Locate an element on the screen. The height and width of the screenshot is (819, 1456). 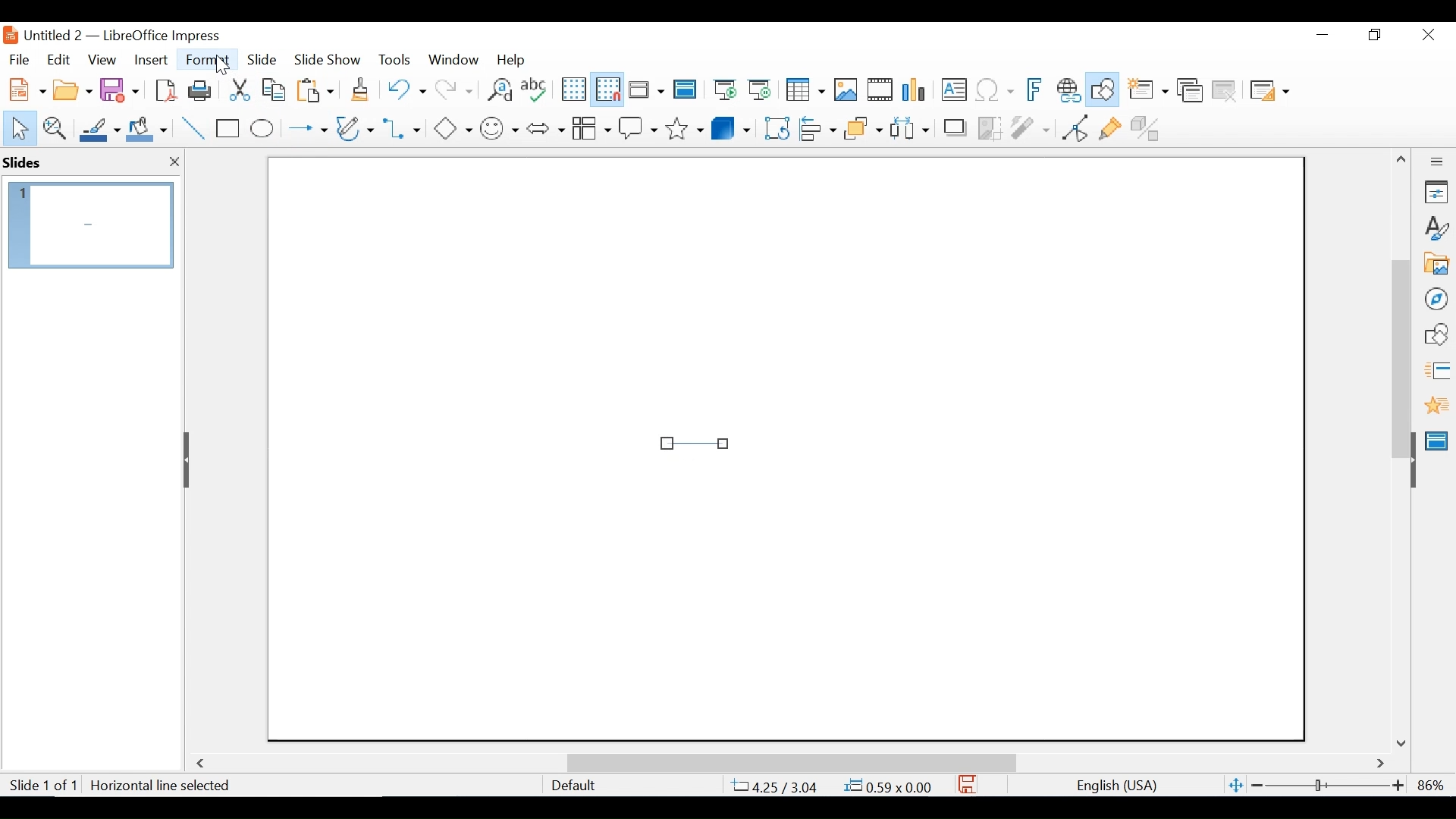
Paste is located at coordinates (319, 89).